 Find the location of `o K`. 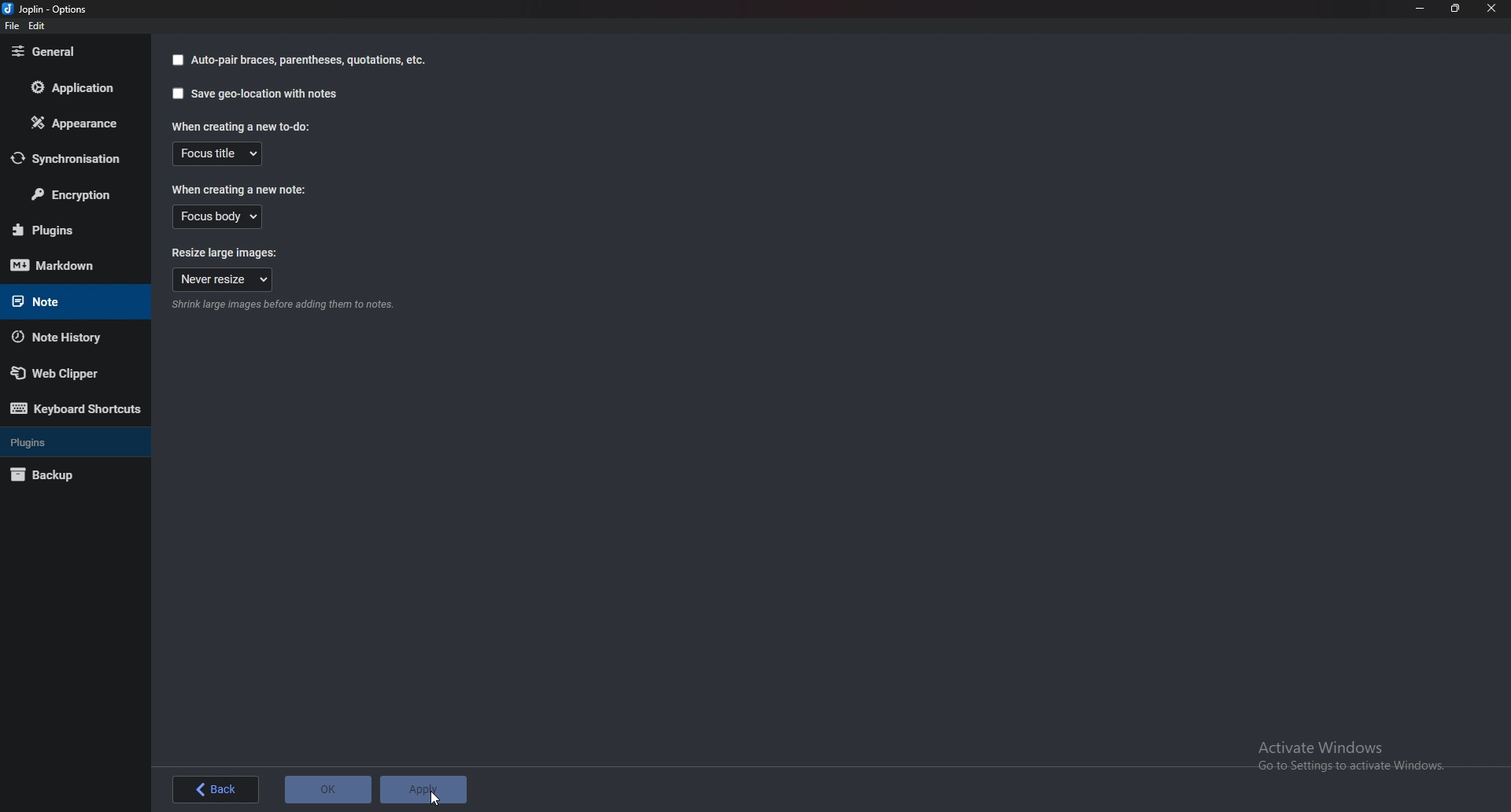

o K is located at coordinates (328, 789).